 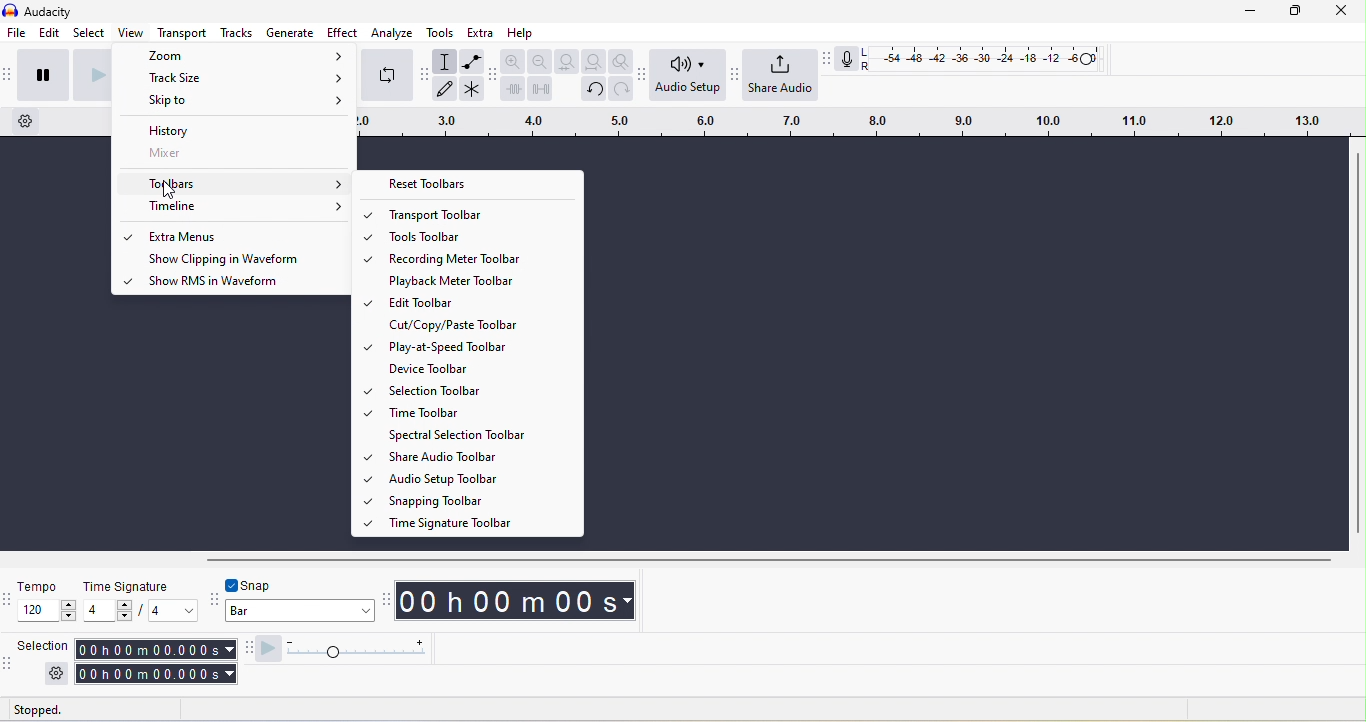 What do you see at coordinates (846, 58) in the screenshot?
I see `recording meter` at bounding box center [846, 58].